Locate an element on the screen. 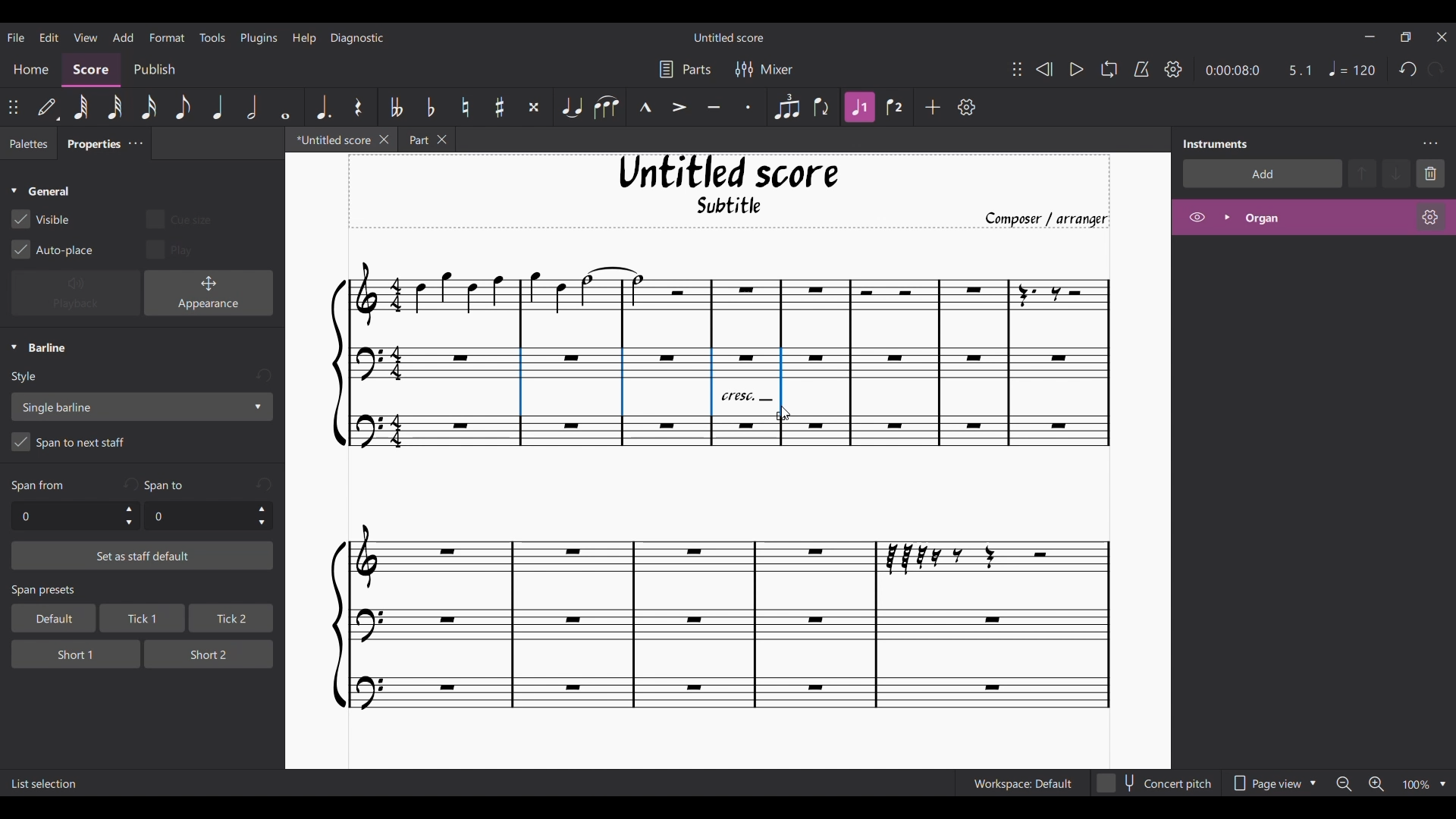 The height and width of the screenshot is (819, 1456). Accent is located at coordinates (679, 108).